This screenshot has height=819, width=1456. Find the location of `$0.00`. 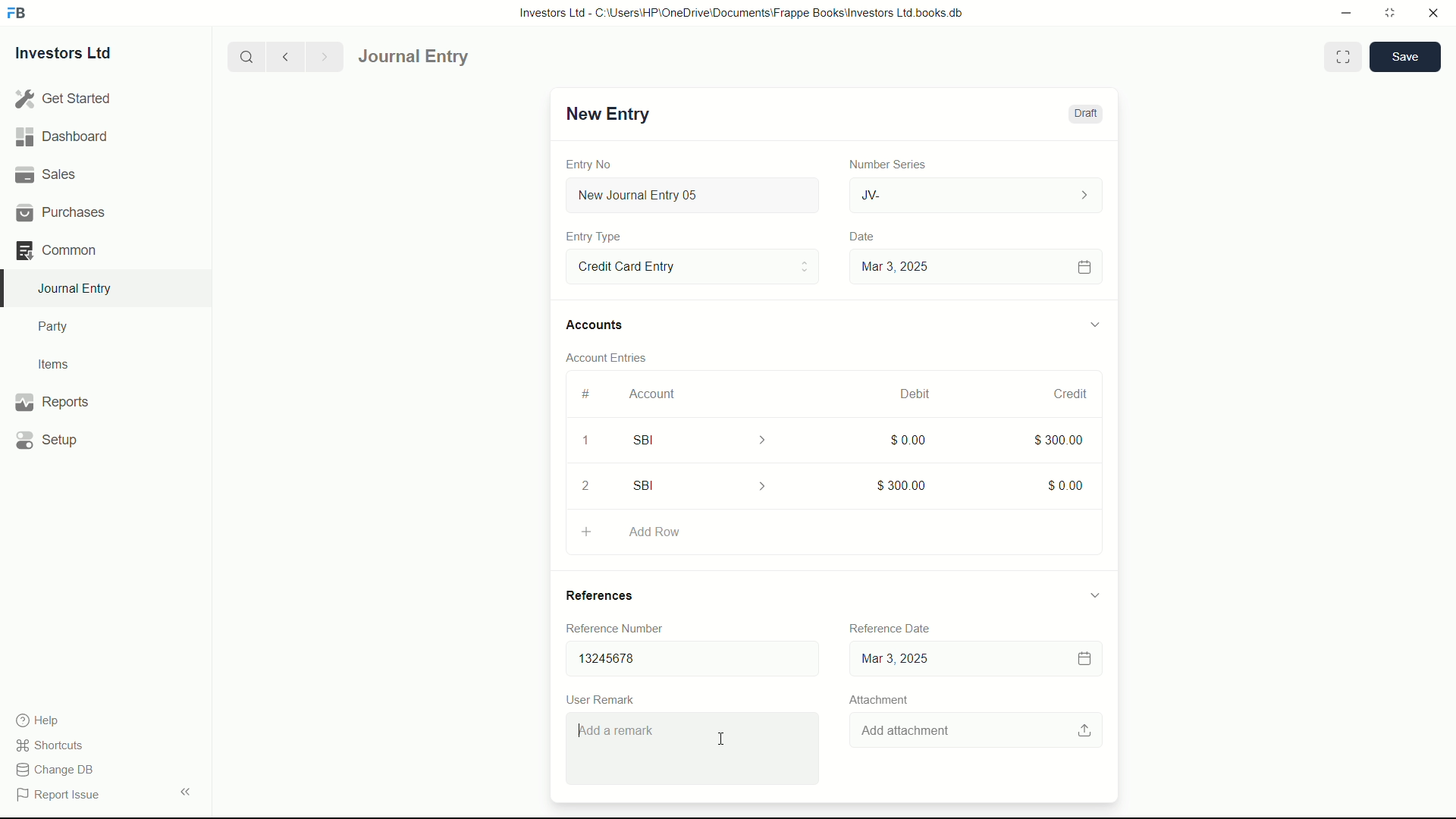

$0.00 is located at coordinates (905, 439).